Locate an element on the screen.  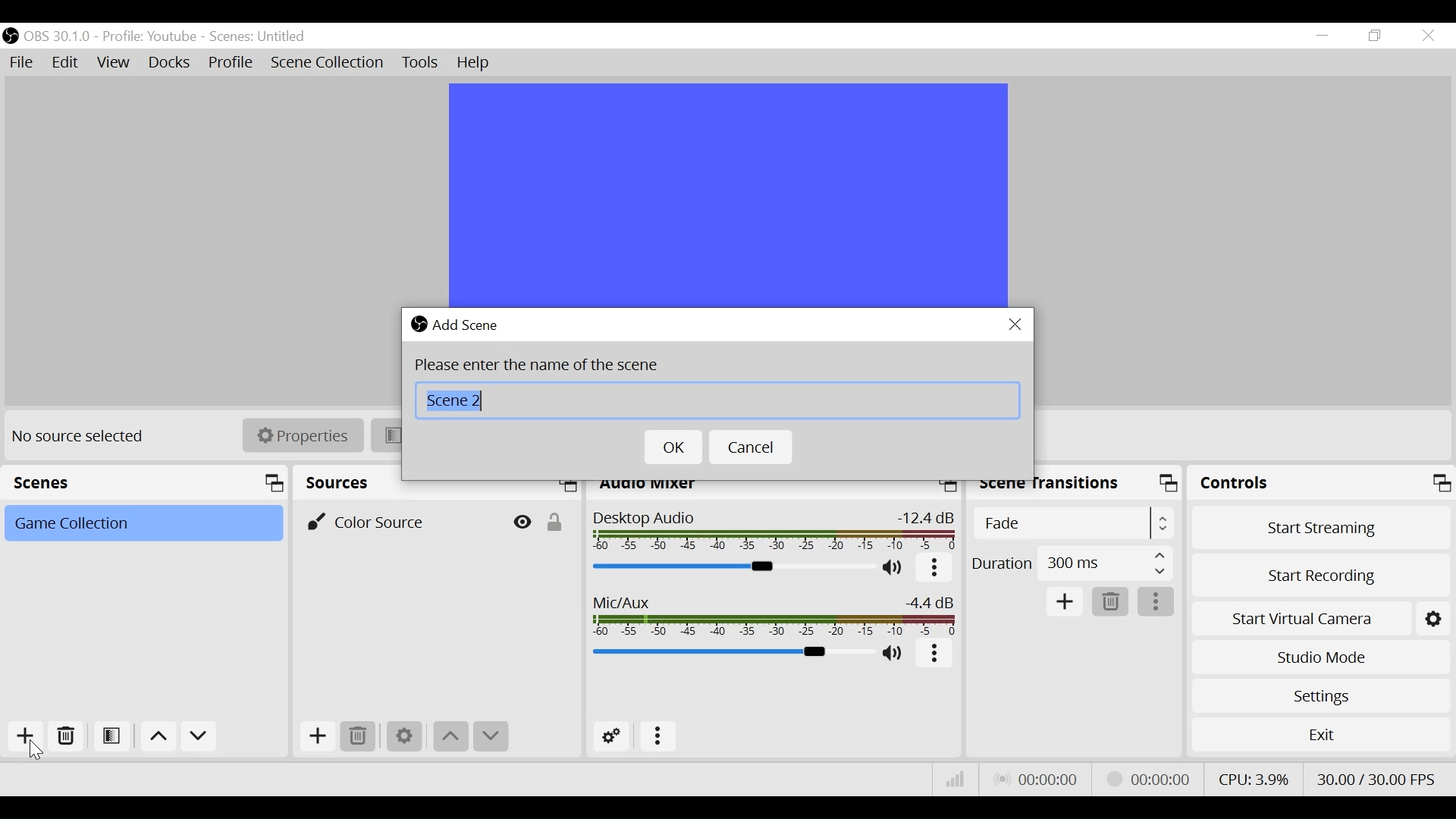
OK is located at coordinates (674, 447).